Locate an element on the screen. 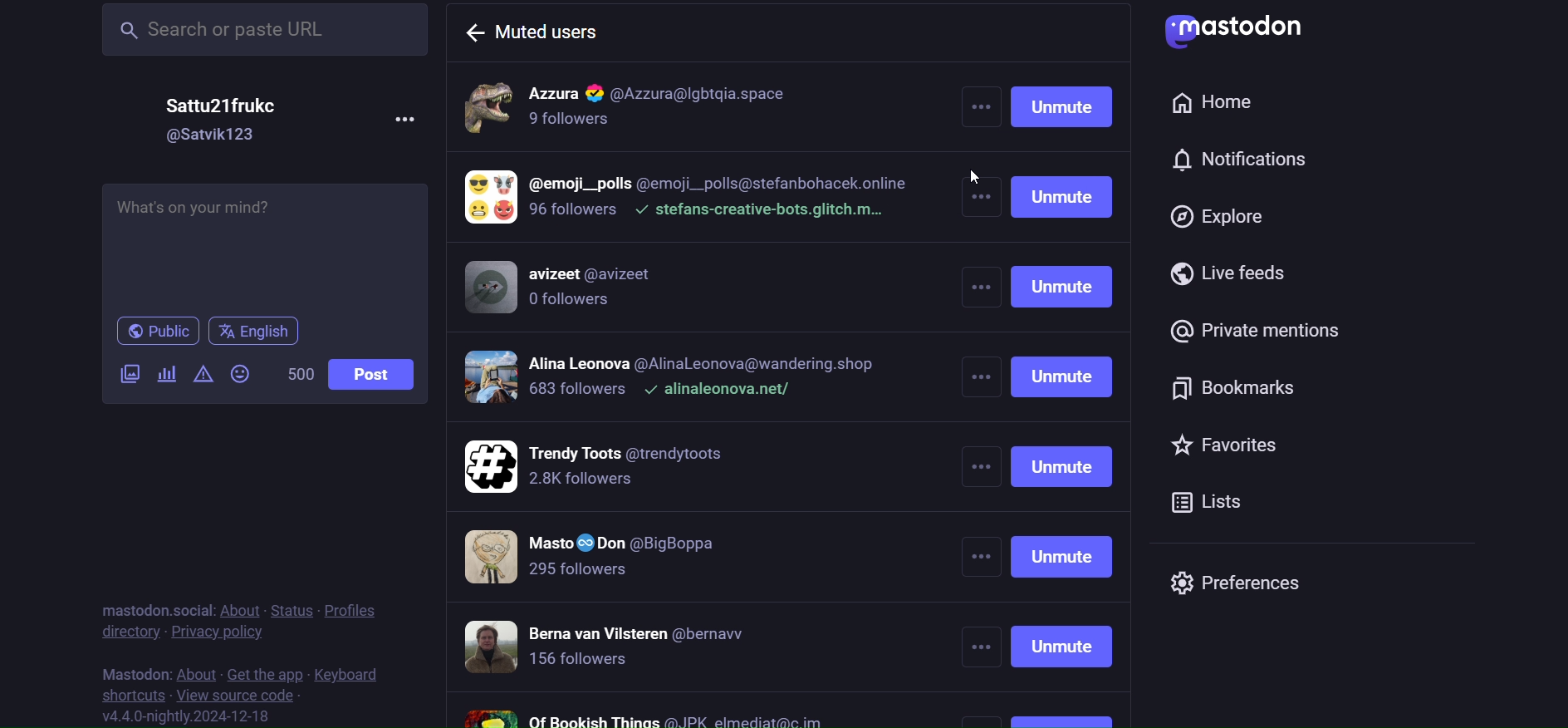 The width and height of the screenshot is (1568, 728). image/video is located at coordinates (130, 373).